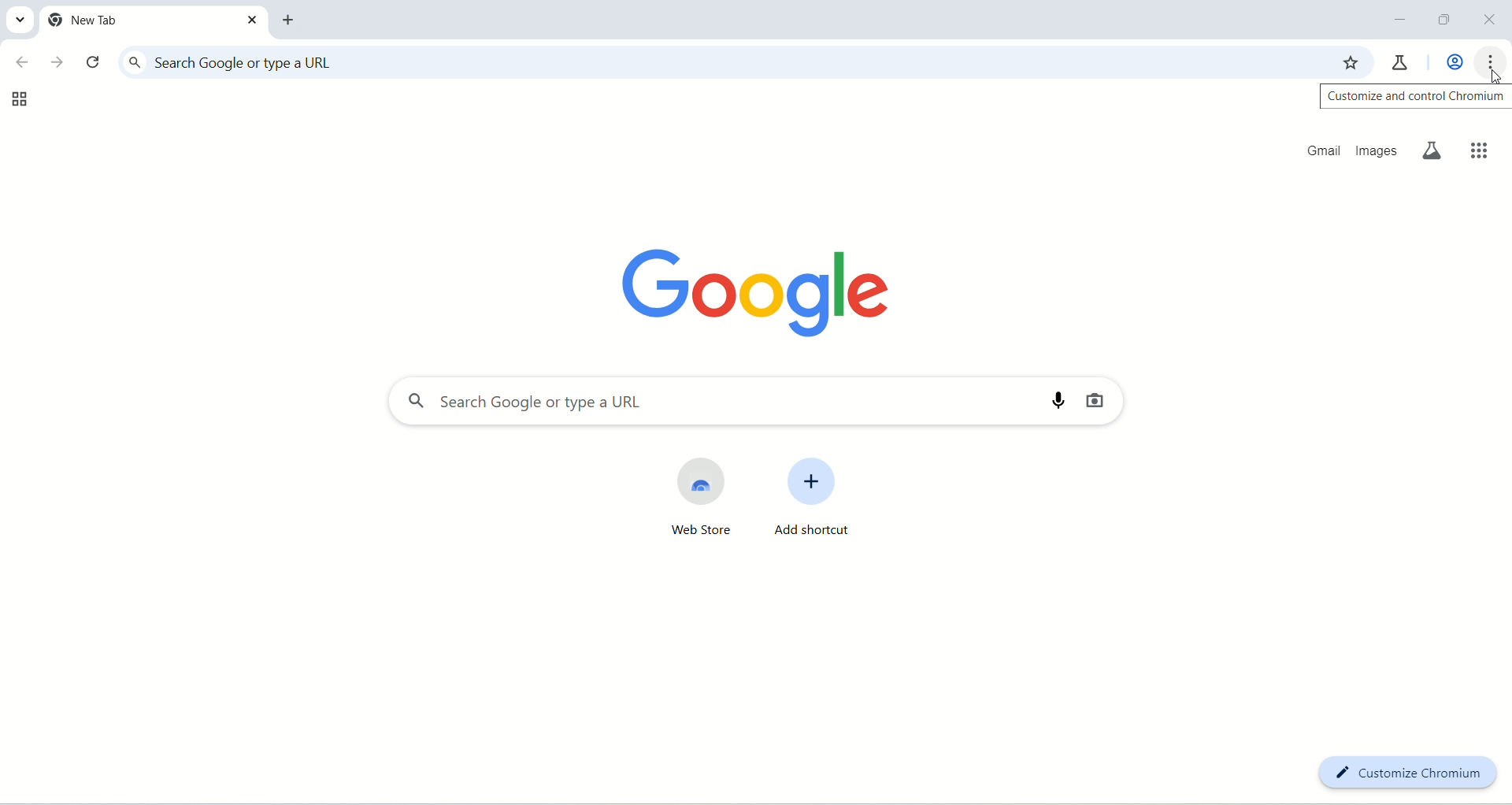 Image resolution: width=1512 pixels, height=805 pixels. Describe the element at coordinates (719, 62) in the screenshot. I see `search googlle or type a url` at that location.